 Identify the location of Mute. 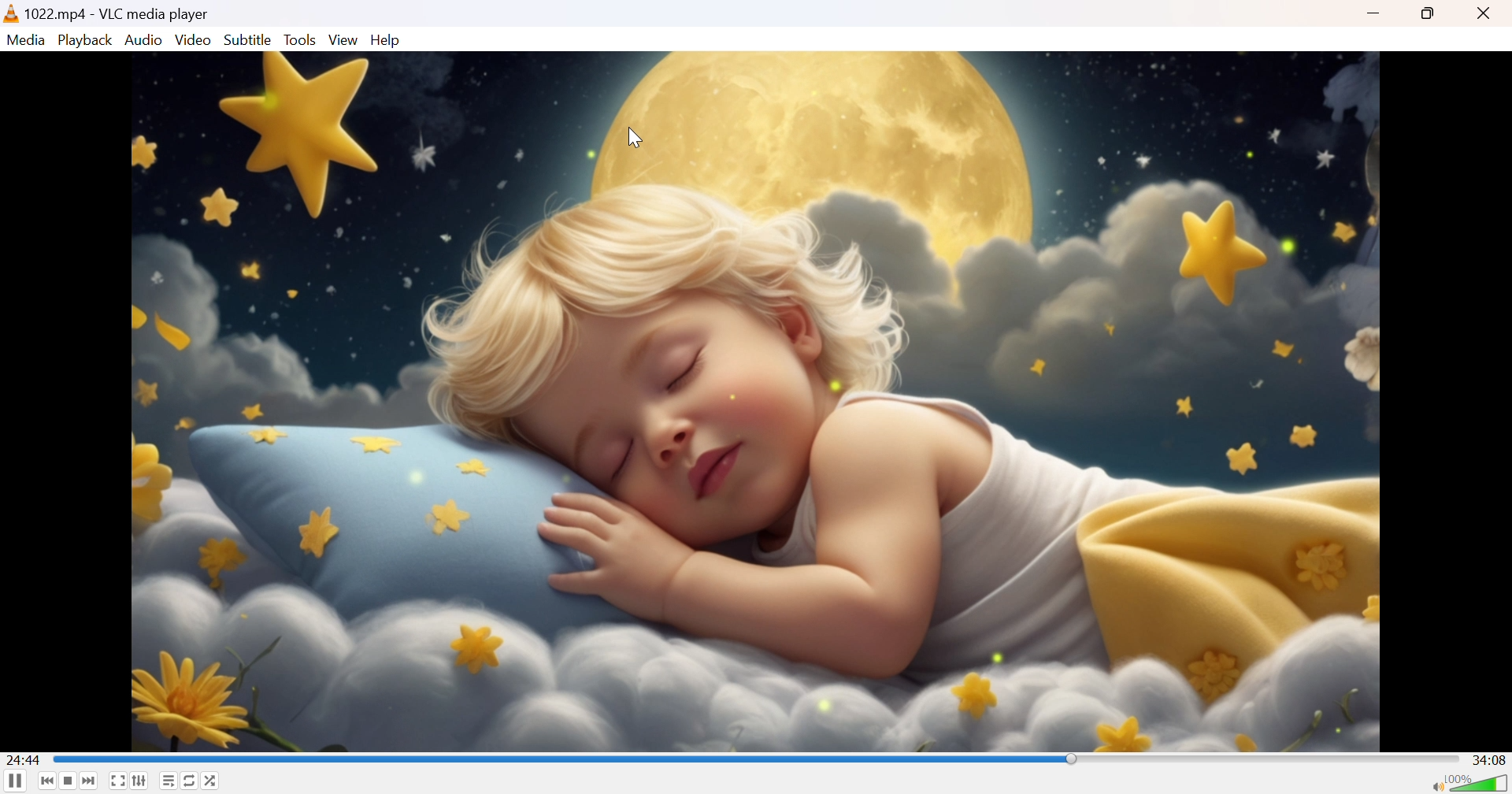
(1432, 788).